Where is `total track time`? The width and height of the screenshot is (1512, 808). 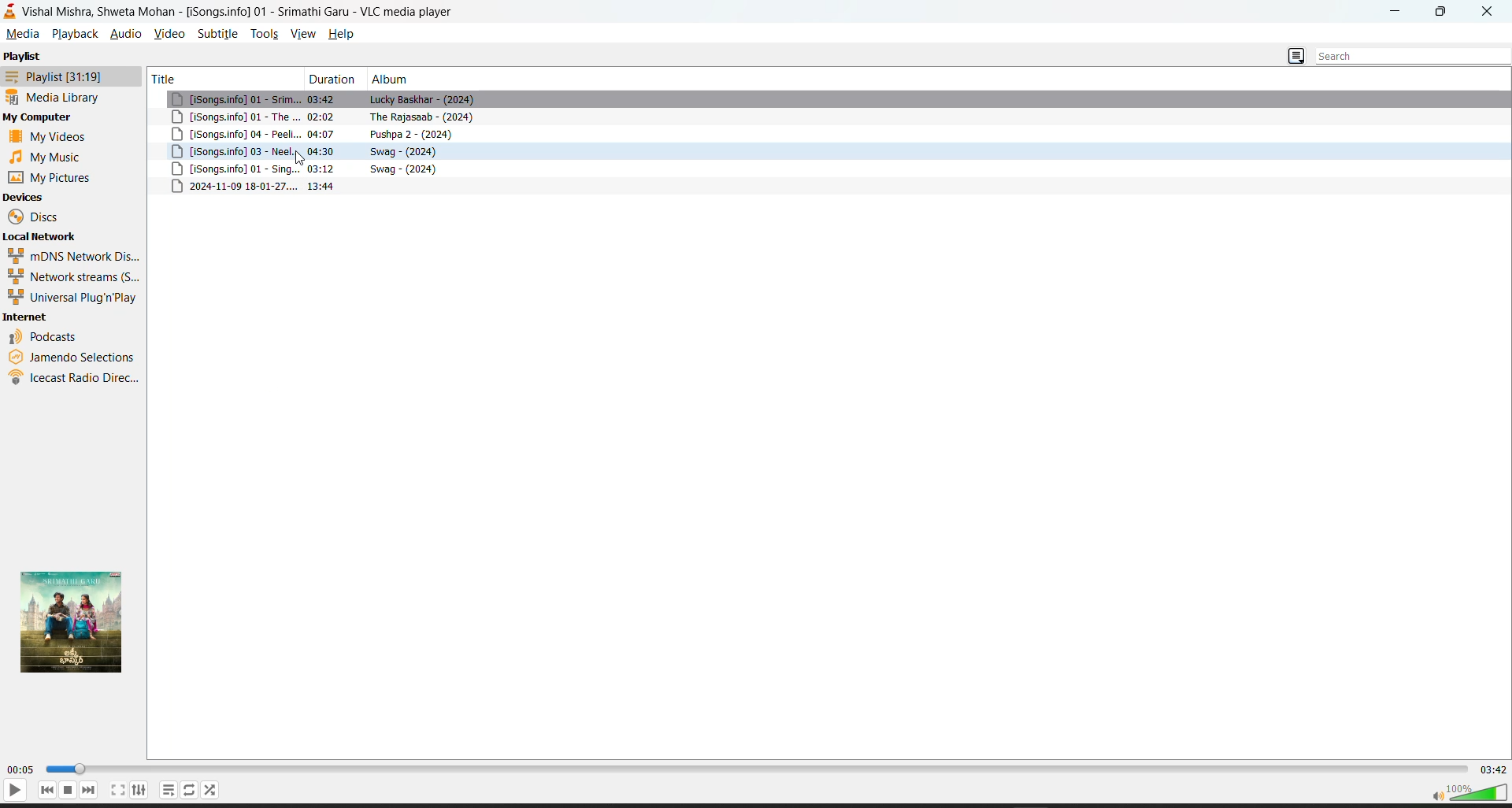 total track time is located at coordinates (1492, 769).